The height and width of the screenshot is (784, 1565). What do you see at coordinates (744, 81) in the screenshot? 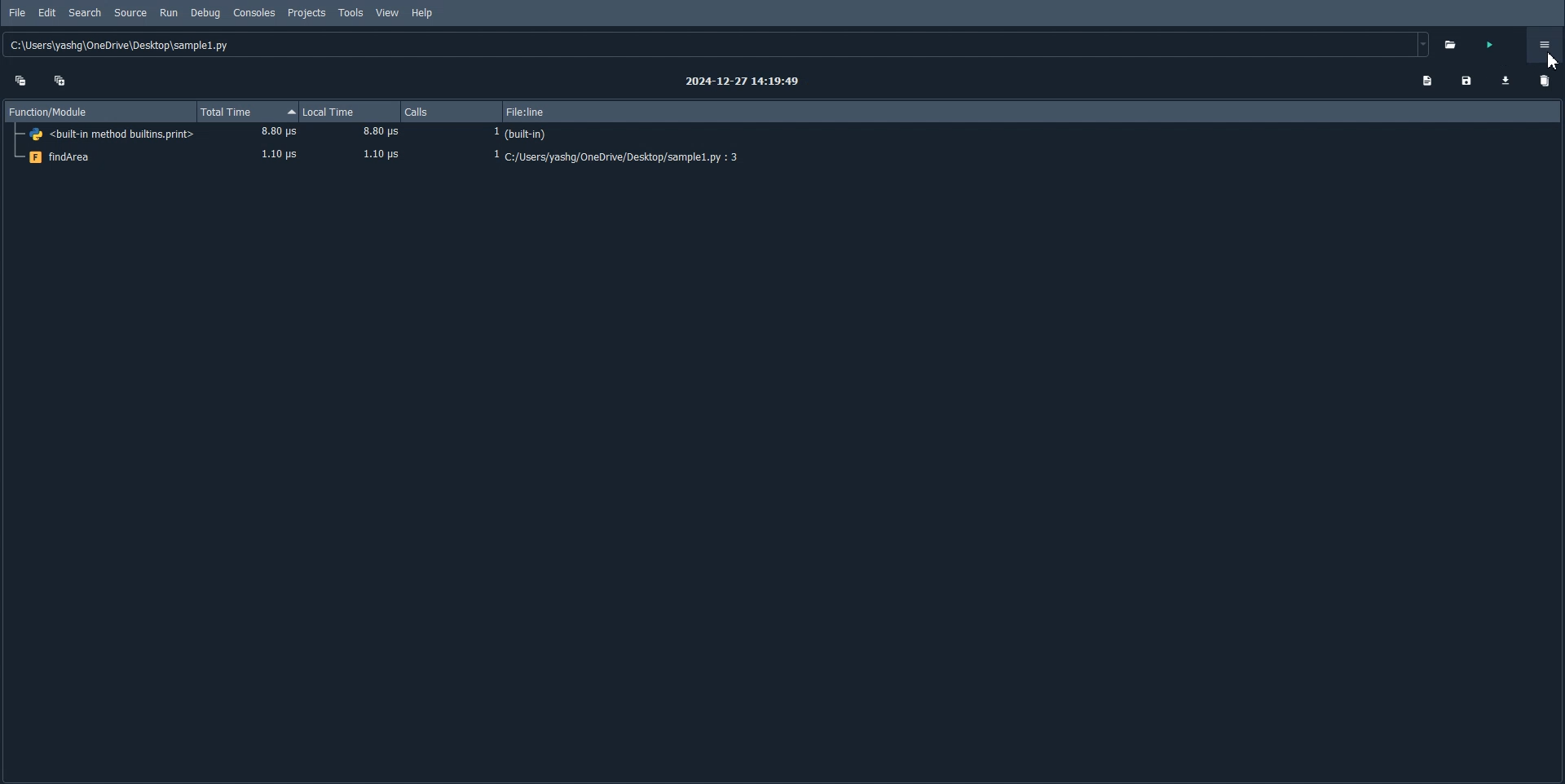
I see `2024-13-27 14:19:45` at bounding box center [744, 81].